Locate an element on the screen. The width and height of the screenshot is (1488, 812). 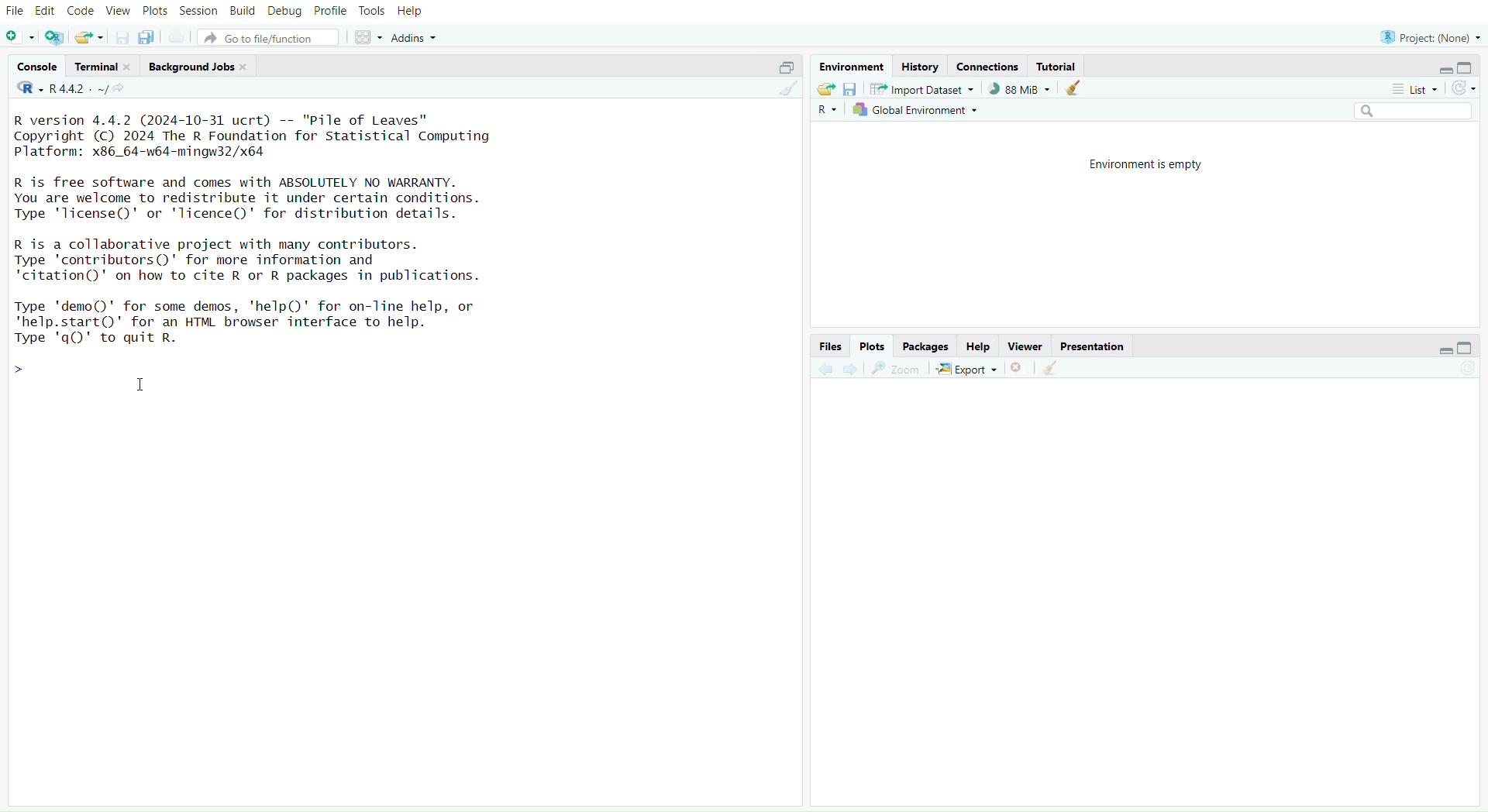
create a project is located at coordinates (55, 38).